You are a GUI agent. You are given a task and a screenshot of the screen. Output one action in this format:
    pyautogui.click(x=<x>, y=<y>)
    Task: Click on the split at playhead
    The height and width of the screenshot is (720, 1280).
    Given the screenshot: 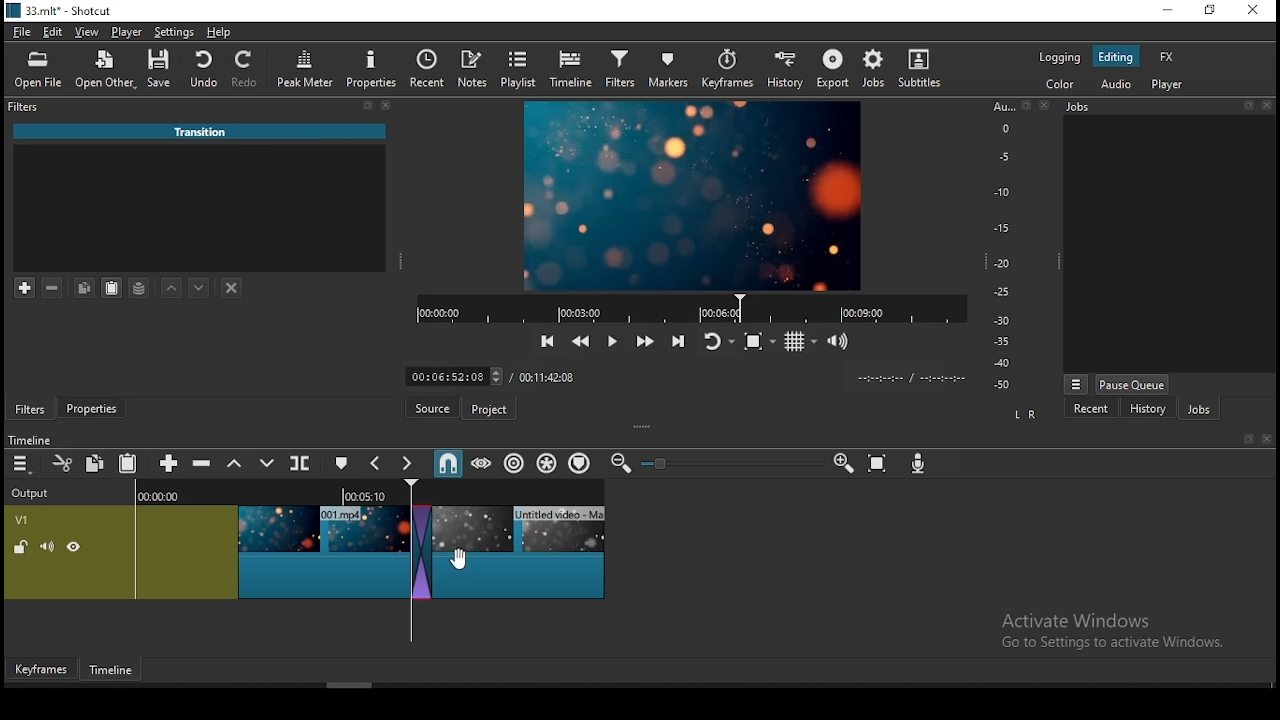 What is the action you would take?
    pyautogui.click(x=429, y=69)
    